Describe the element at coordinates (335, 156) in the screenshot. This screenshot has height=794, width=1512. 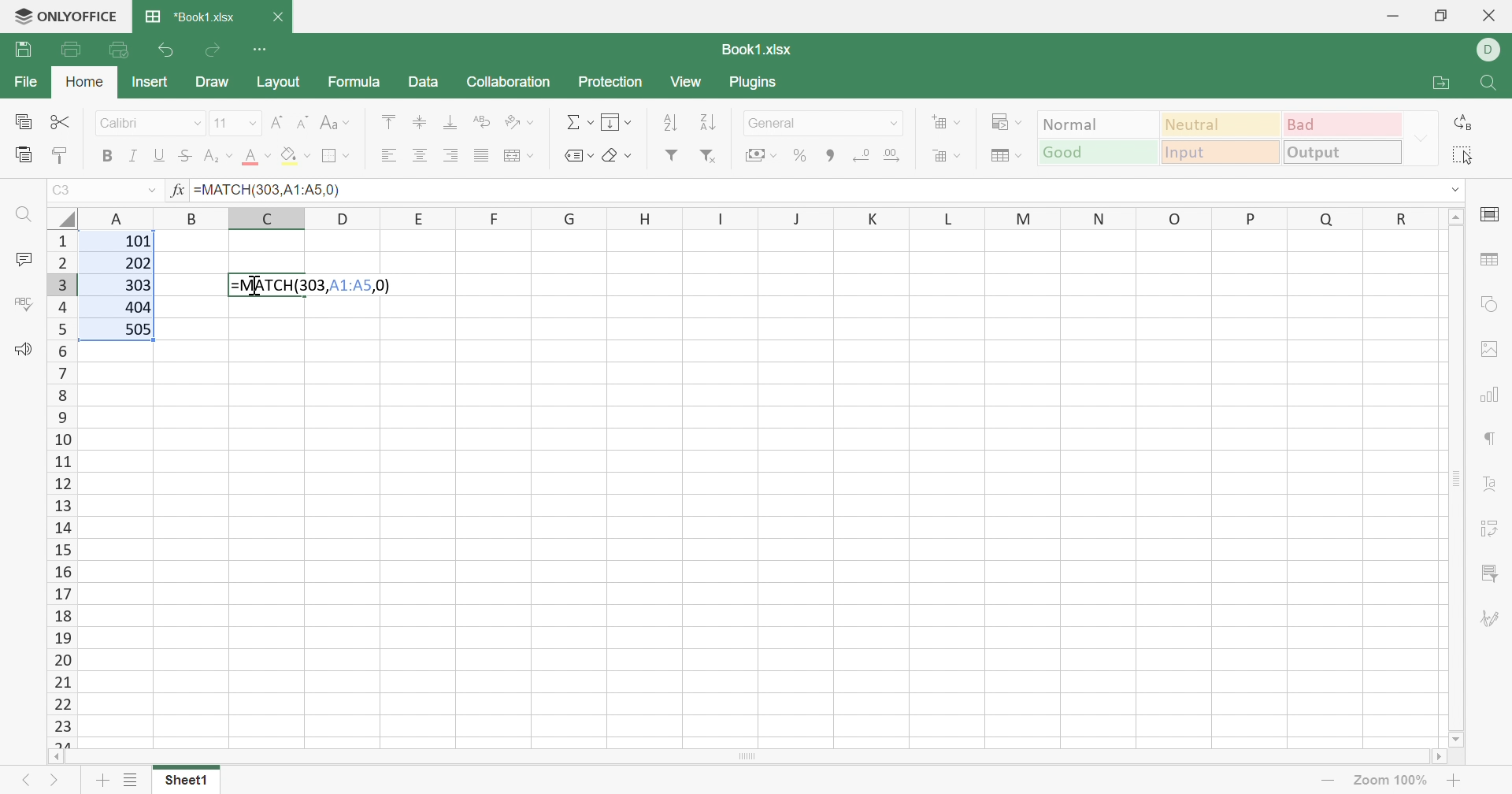
I see `Borders` at that location.